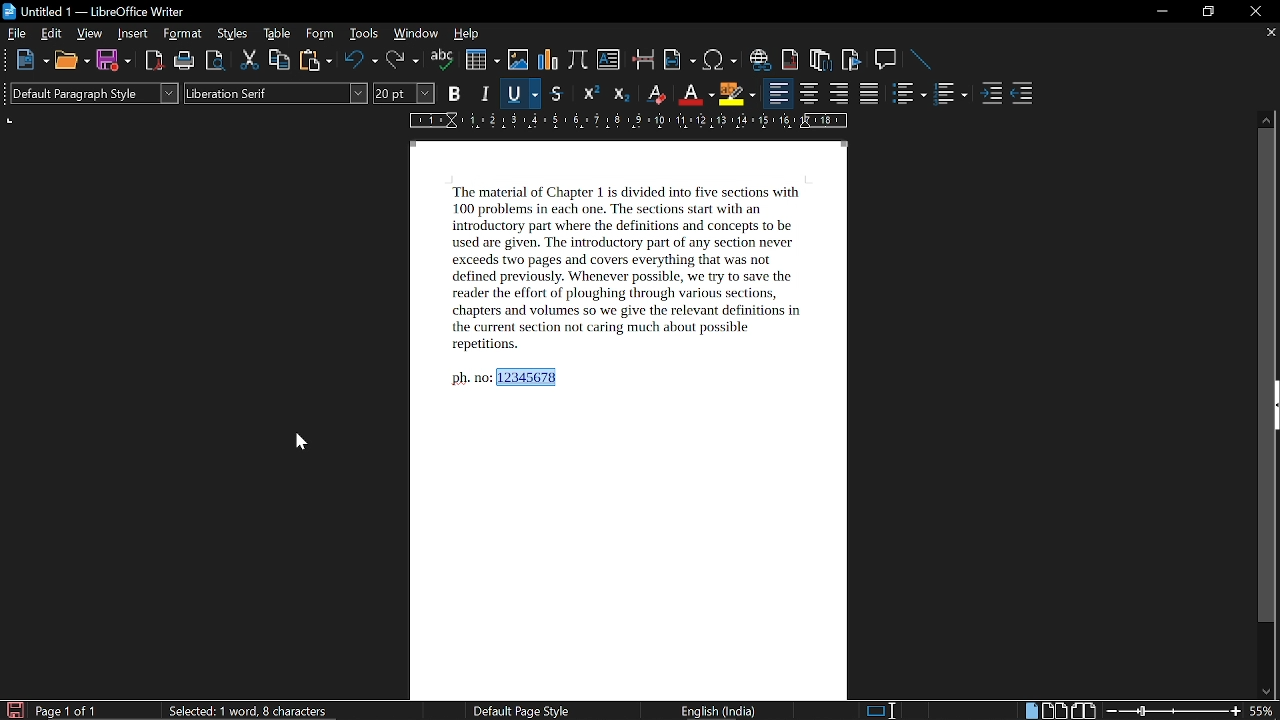  What do you see at coordinates (14, 710) in the screenshot?
I see `save` at bounding box center [14, 710].